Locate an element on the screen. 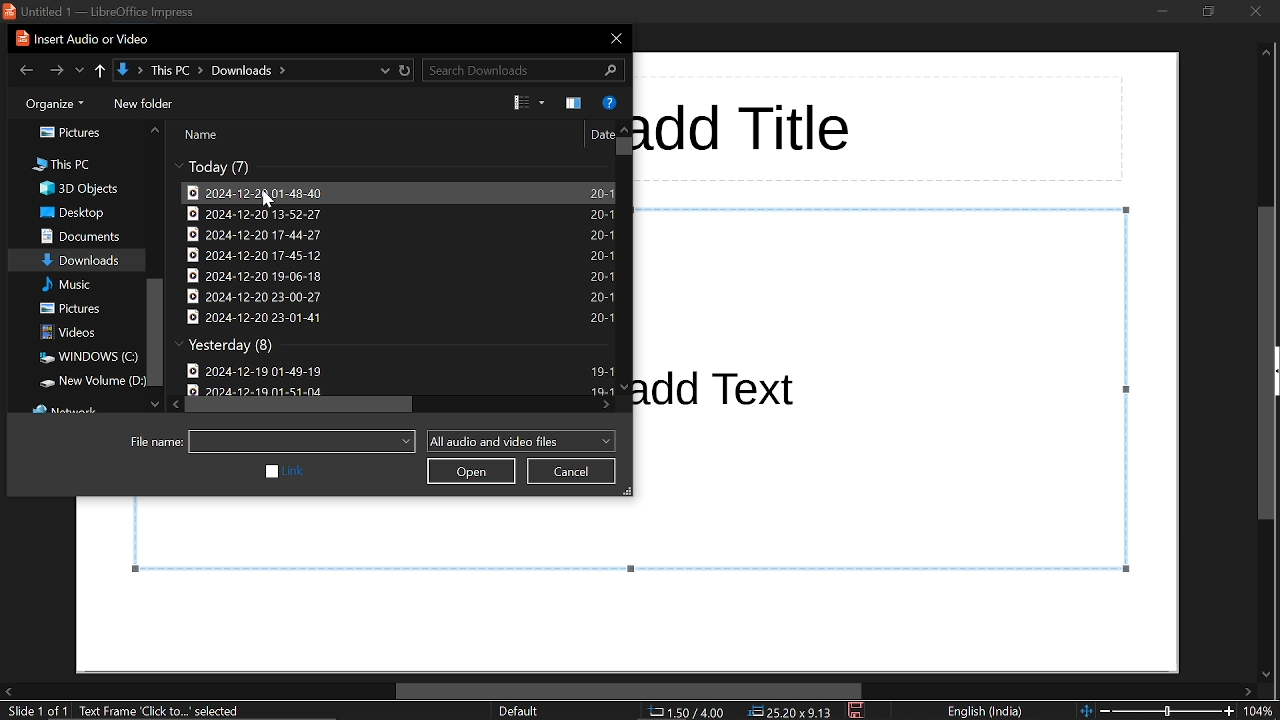 This screenshot has height=720, width=1280. search is located at coordinates (524, 69).